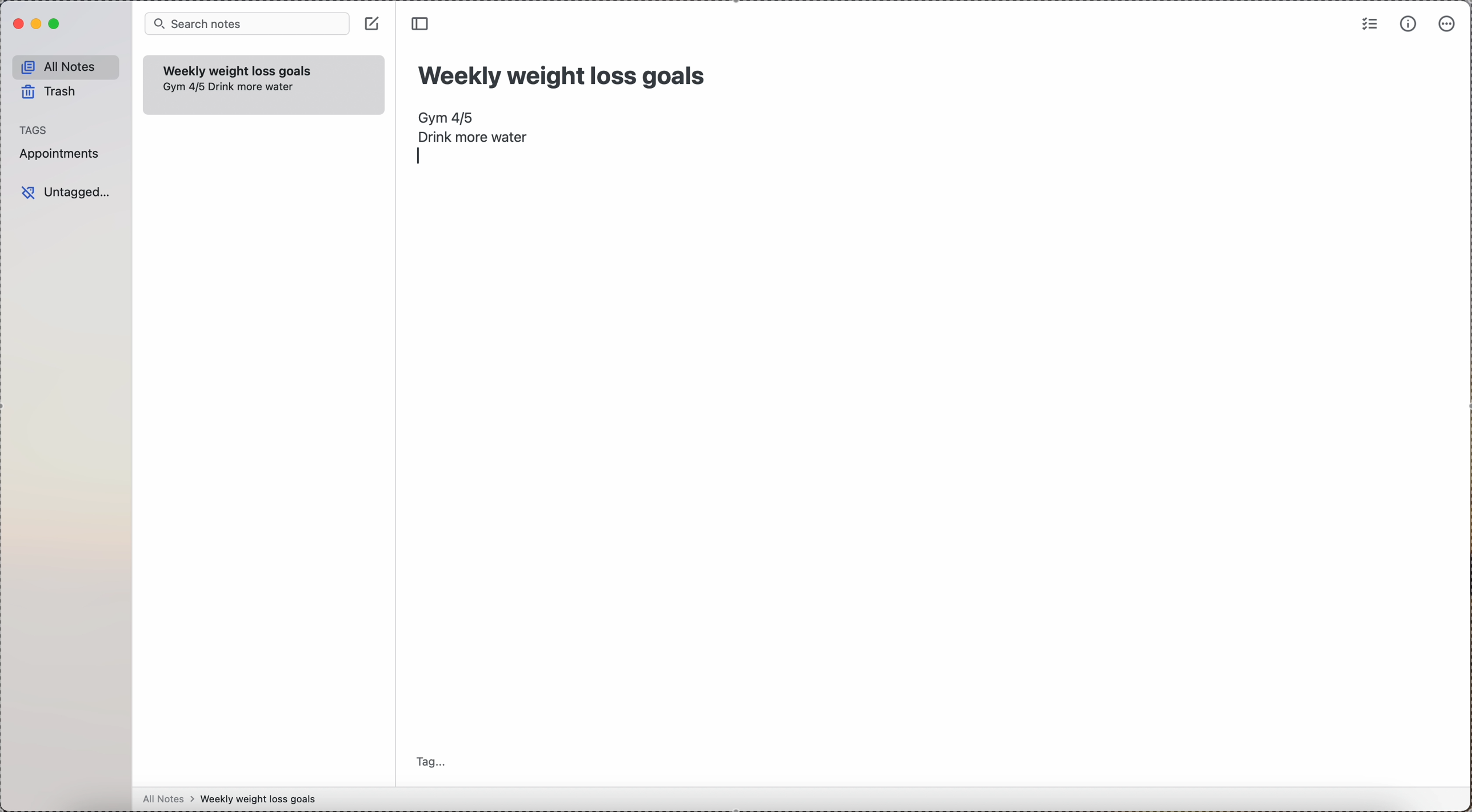 The image size is (1472, 812). Describe the element at coordinates (447, 117) in the screenshot. I see `Gym 4/5` at that location.